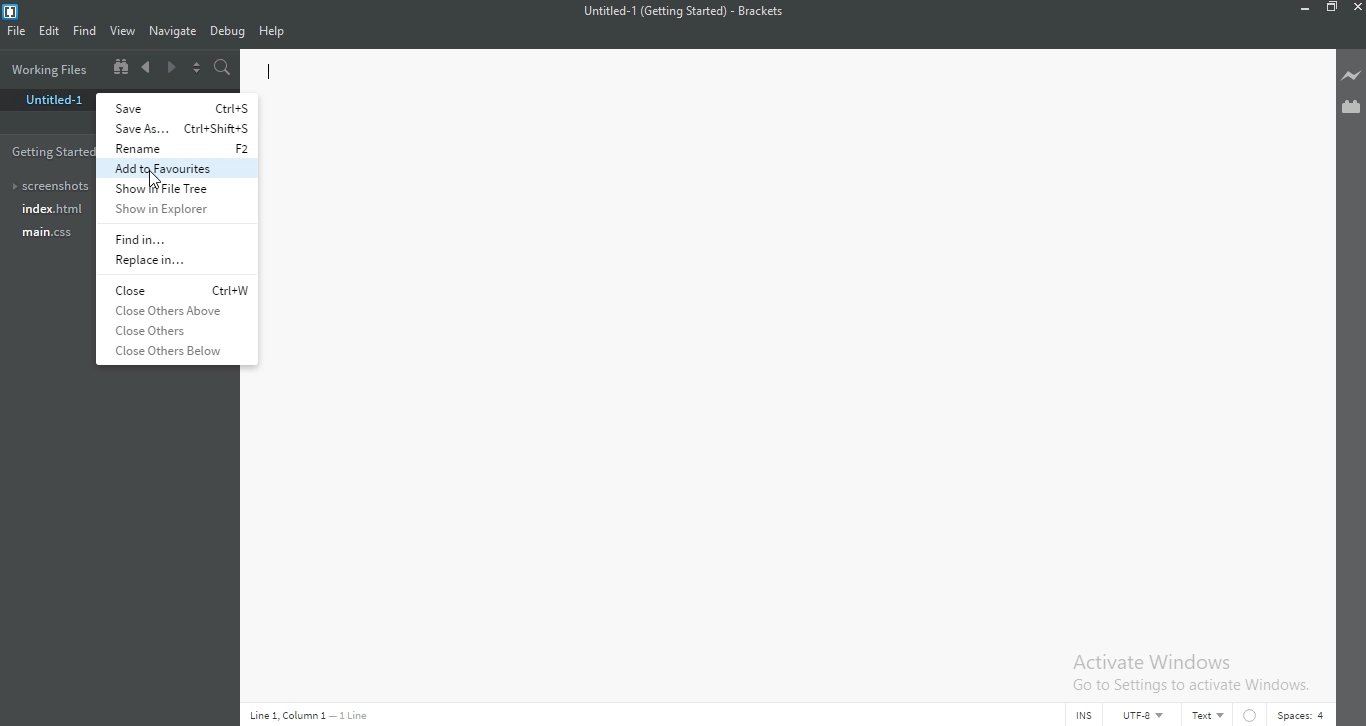 This screenshot has width=1366, height=726. What do you see at coordinates (1301, 716) in the screenshot?
I see `Spaces:4` at bounding box center [1301, 716].